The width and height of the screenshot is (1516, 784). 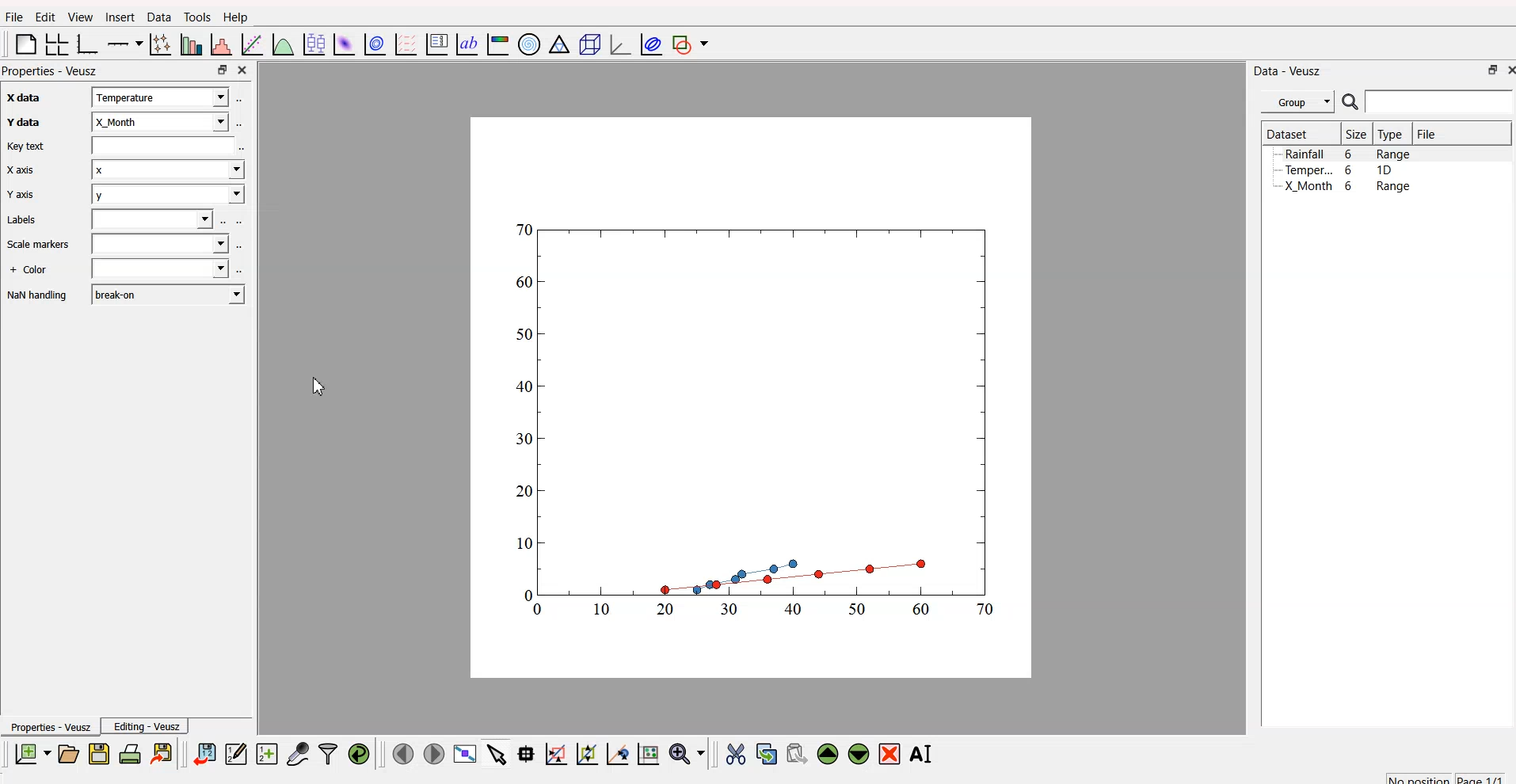 What do you see at coordinates (165, 171) in the screenshot?
I see `x` at bounding box center [165, 171].